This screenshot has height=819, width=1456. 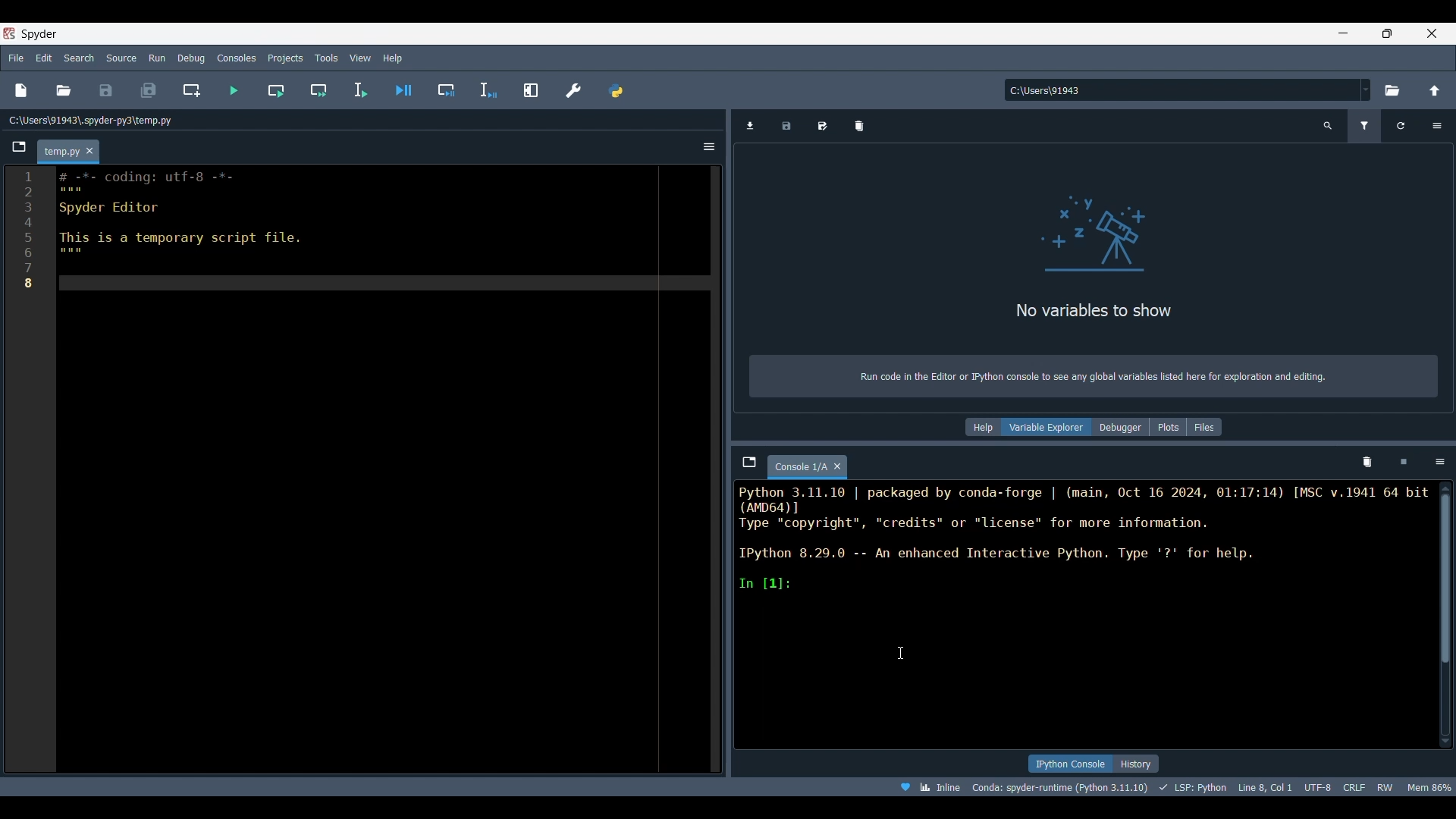 I want to click on Edit menu, so click(x=43, y=58).